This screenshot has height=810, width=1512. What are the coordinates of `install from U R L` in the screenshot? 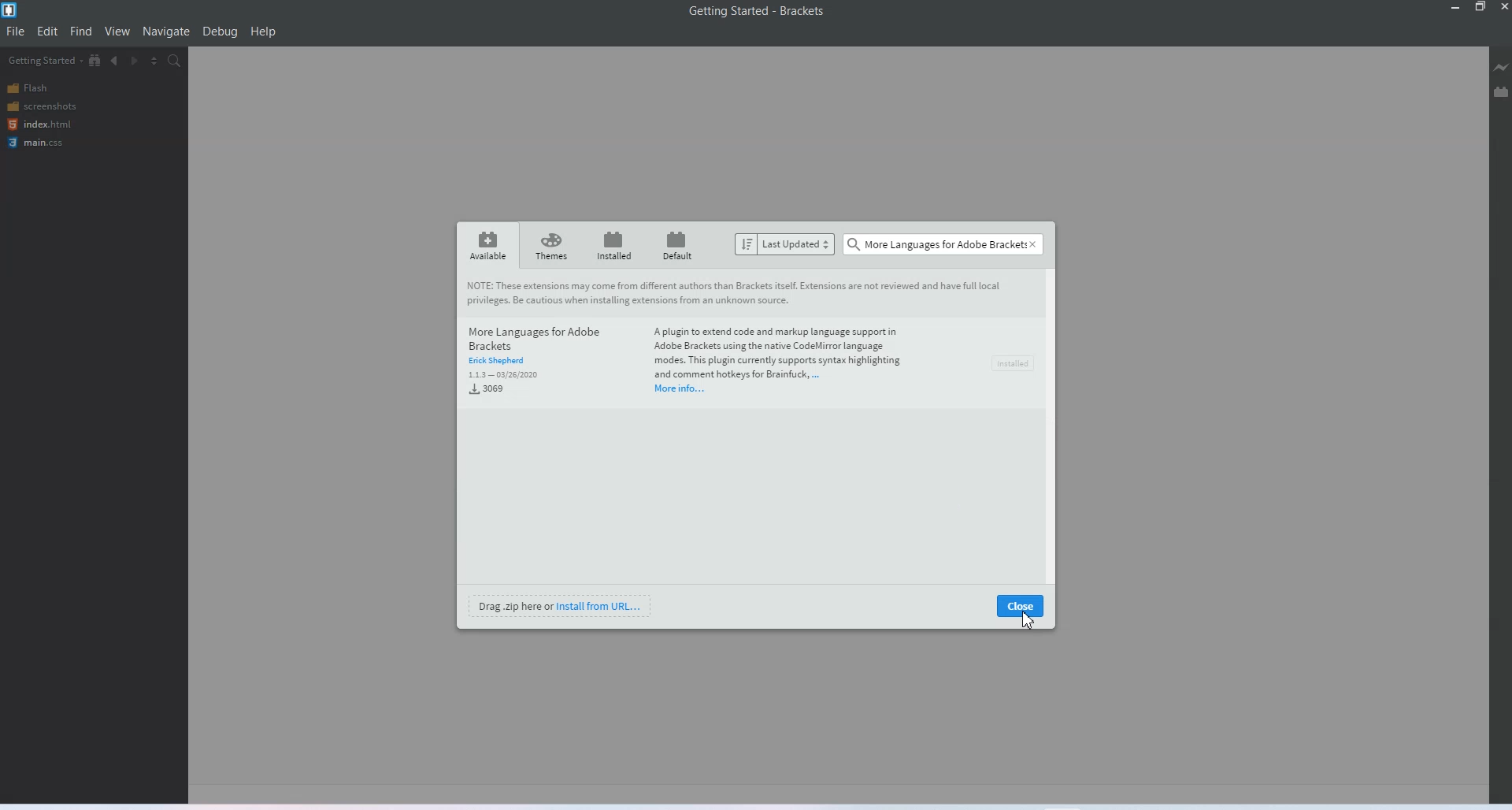 It's located at (599, 605).